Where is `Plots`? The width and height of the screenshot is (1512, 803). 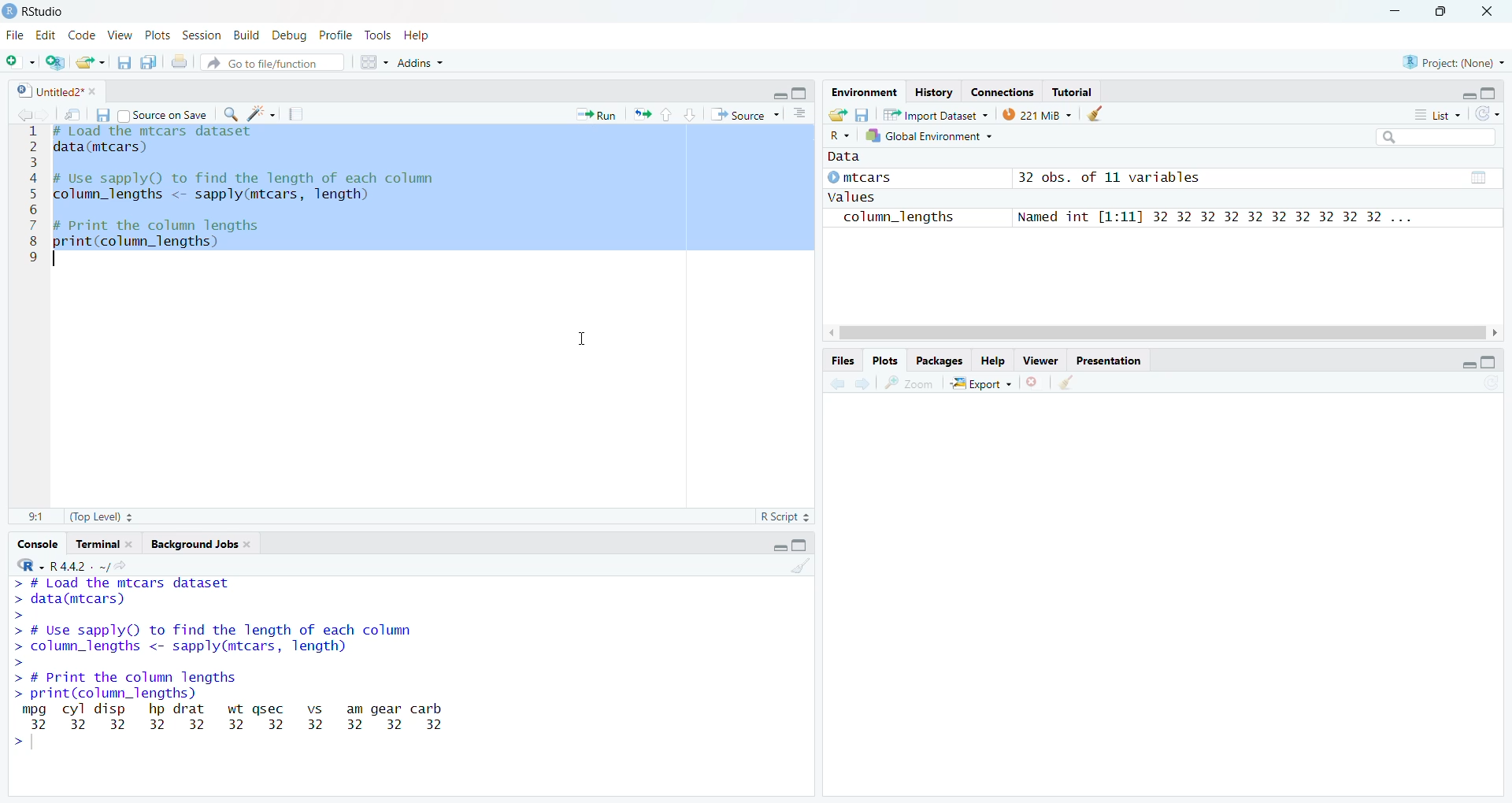 Plots is located at coordinates (886, 361).